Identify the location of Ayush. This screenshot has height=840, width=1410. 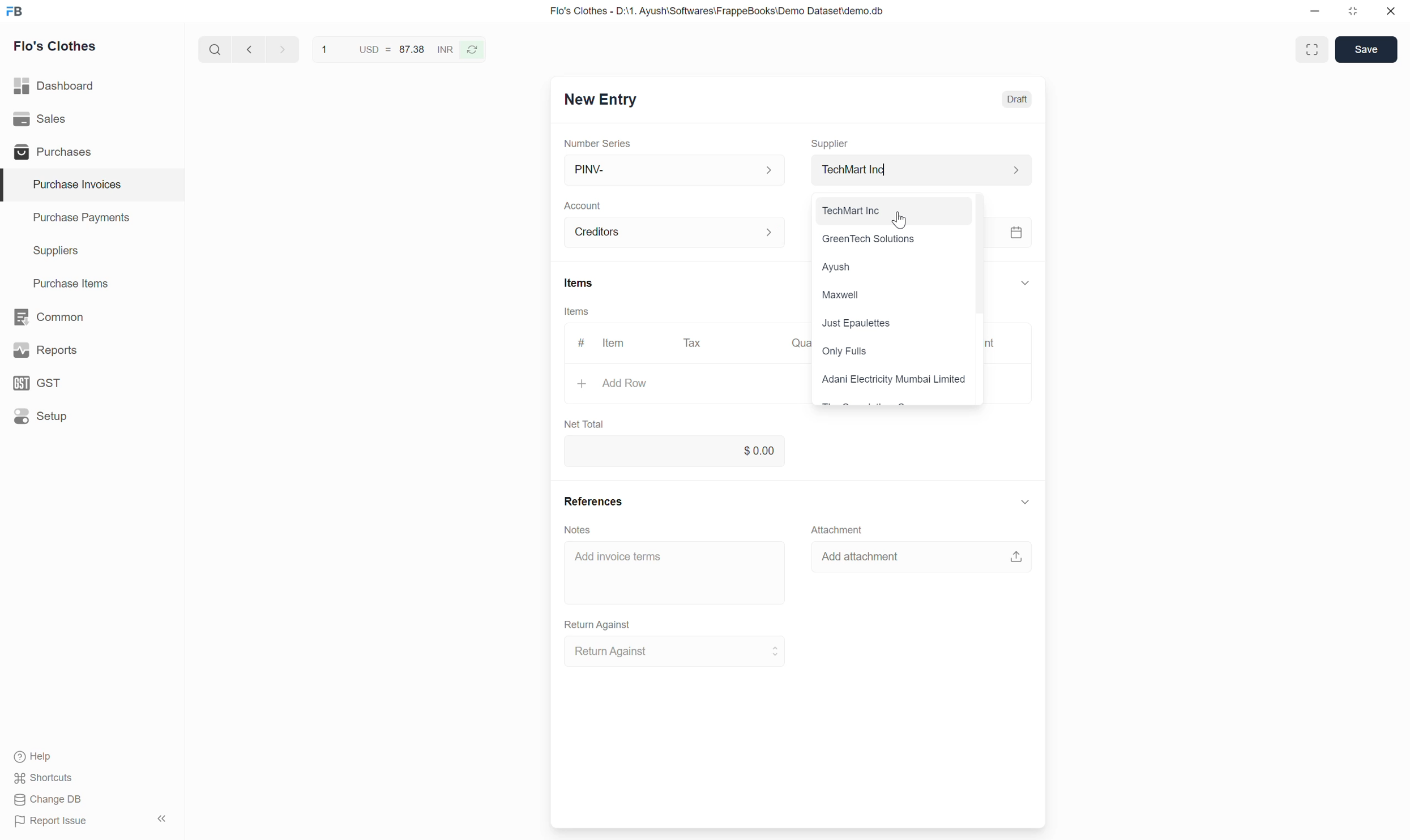
(845, 267).